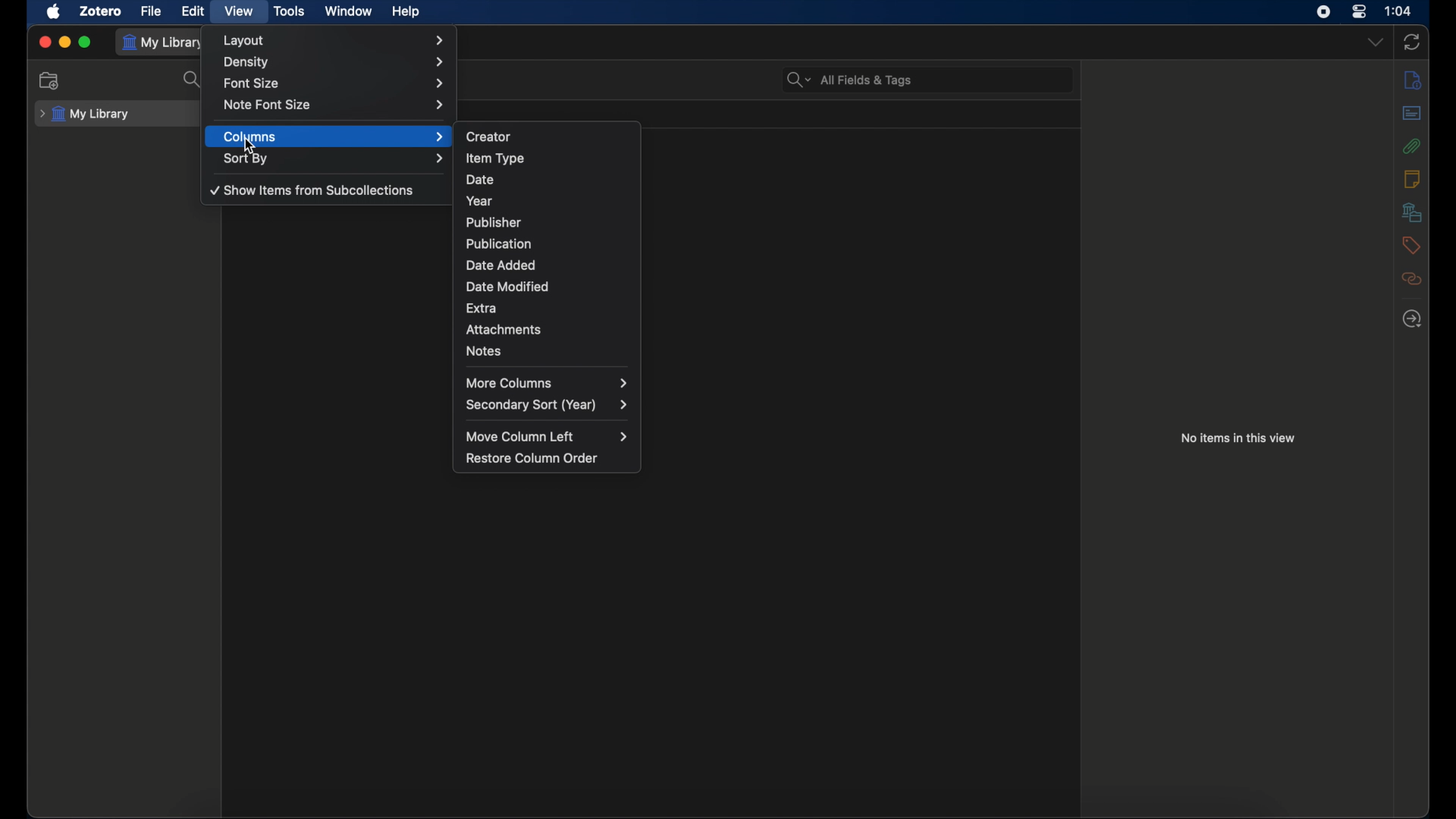 The height and width of the screenshot is (819, 1456). What do you see at coordinates (481, 180) in the screenshot?
I see `date` at bounding box center [481, 180].